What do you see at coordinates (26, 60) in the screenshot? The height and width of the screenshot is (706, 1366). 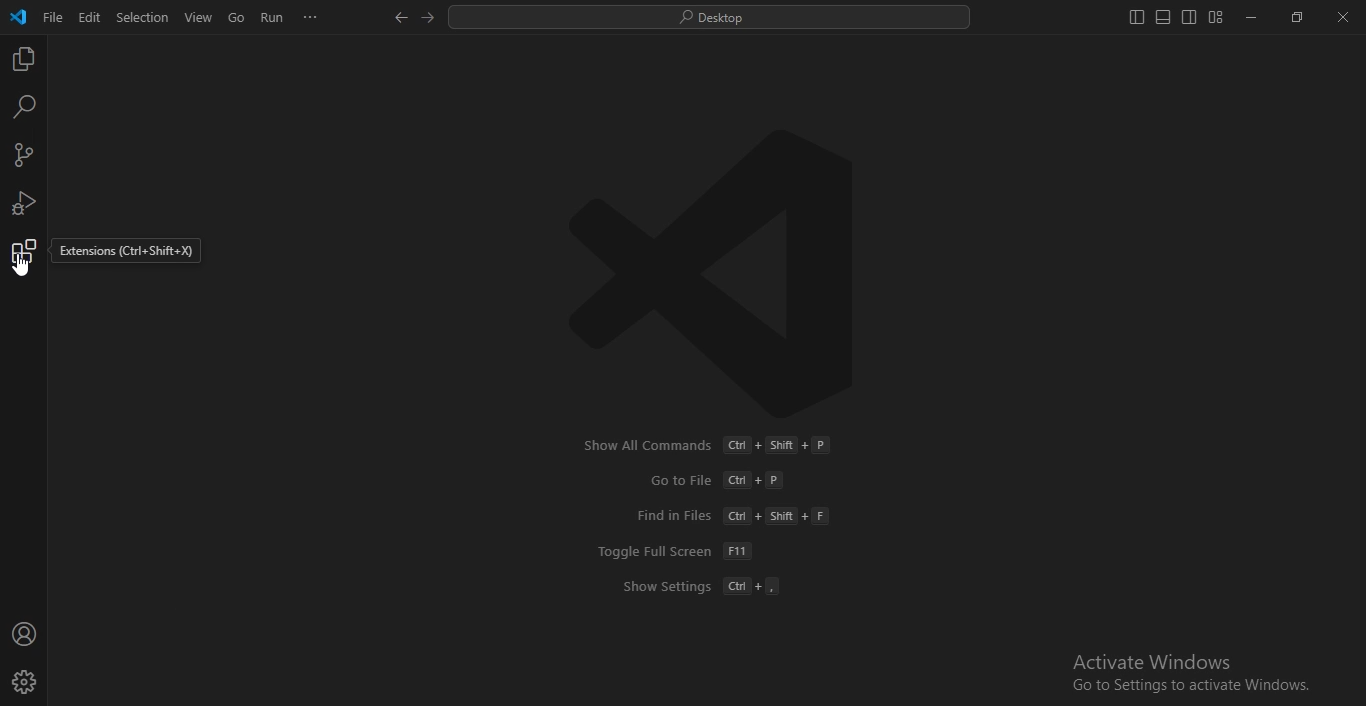 I see `explorer` at bounding box center [26, 60].